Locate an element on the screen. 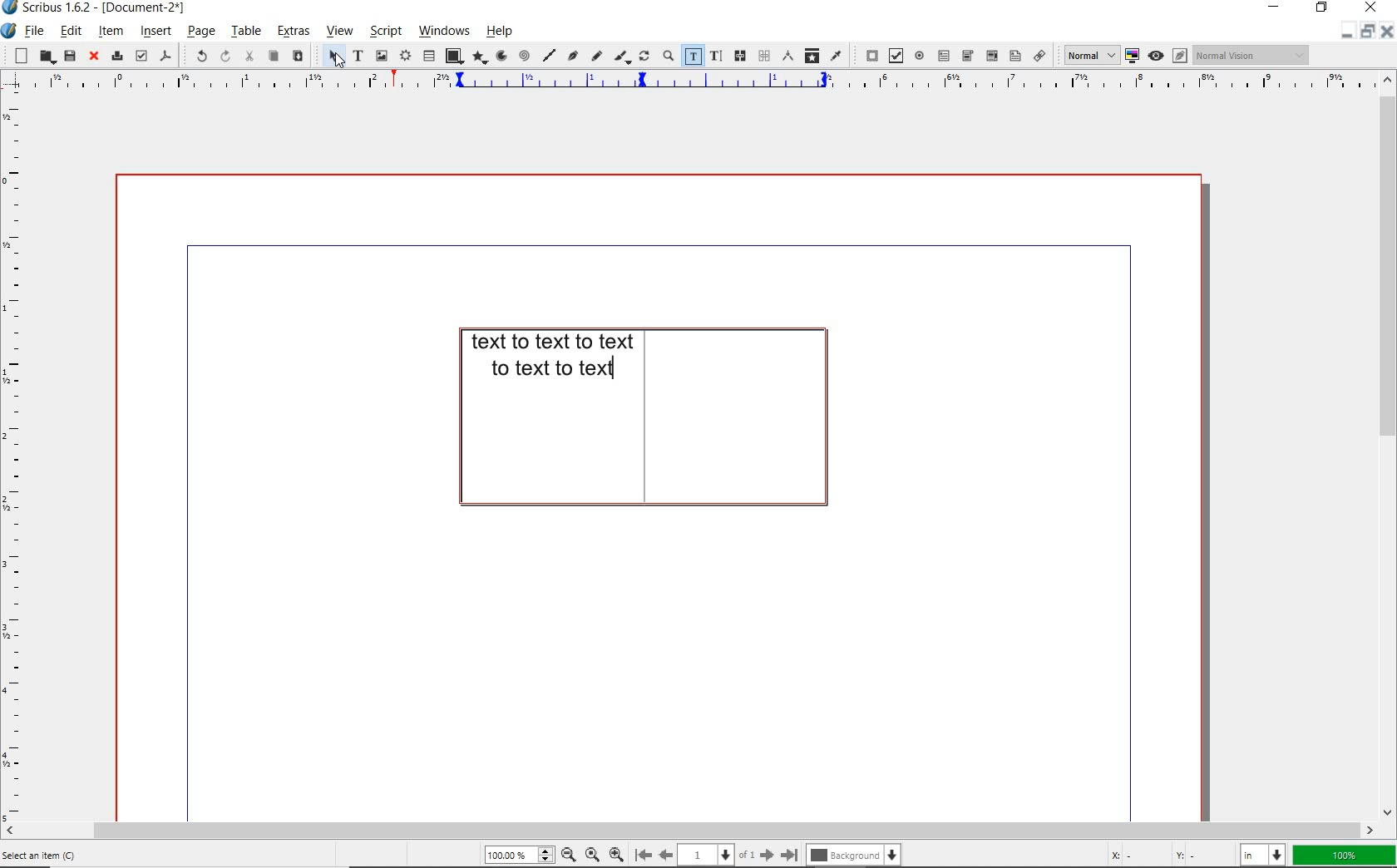  CURSOR is located at coordinates (618, 373).